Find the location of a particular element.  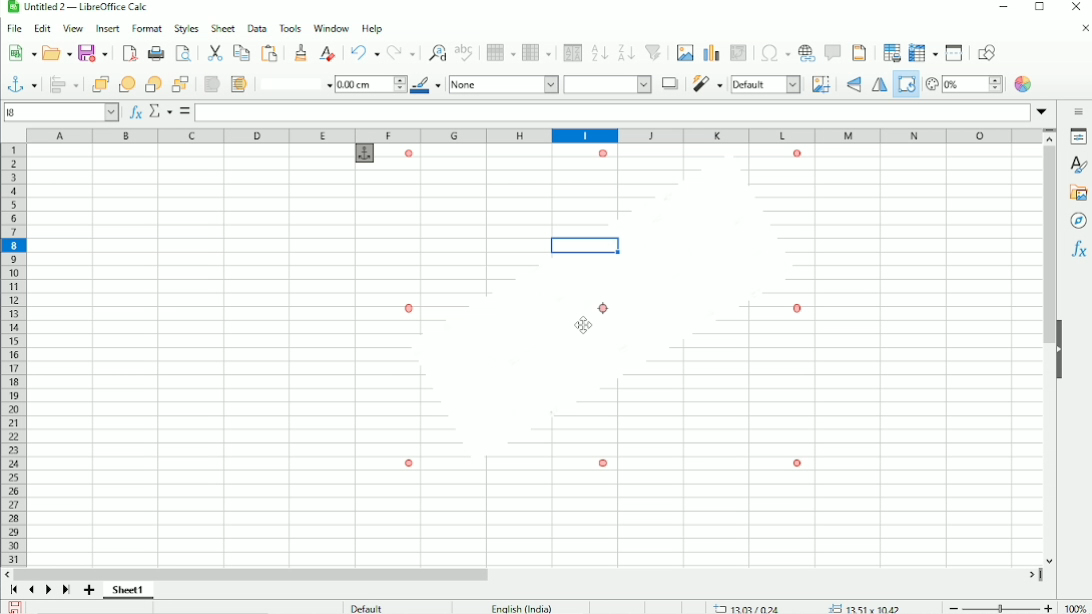

Styles is located at coordinates (185, 28).